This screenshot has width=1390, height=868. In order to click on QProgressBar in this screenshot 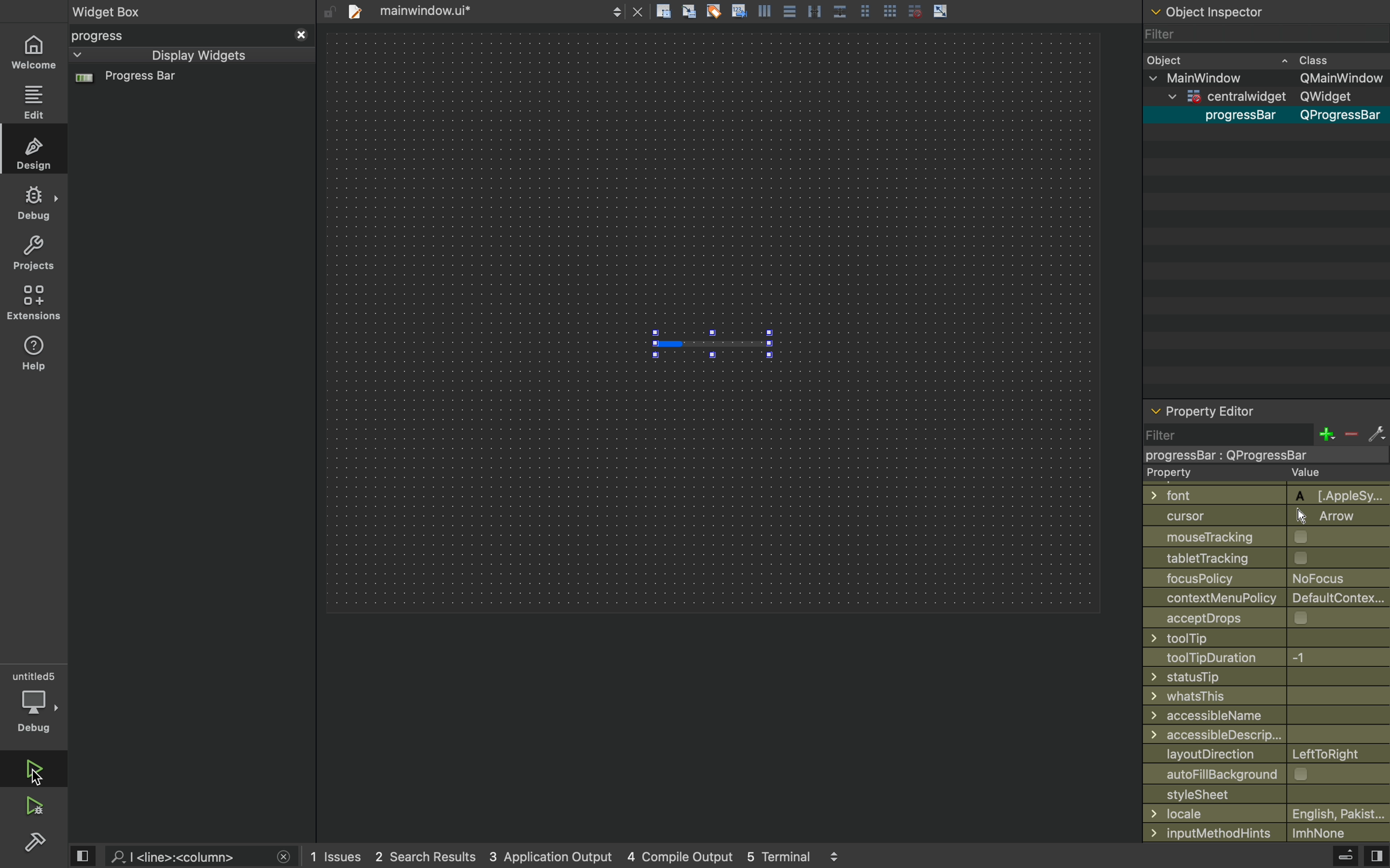, I will do `click(1342, 116)`.